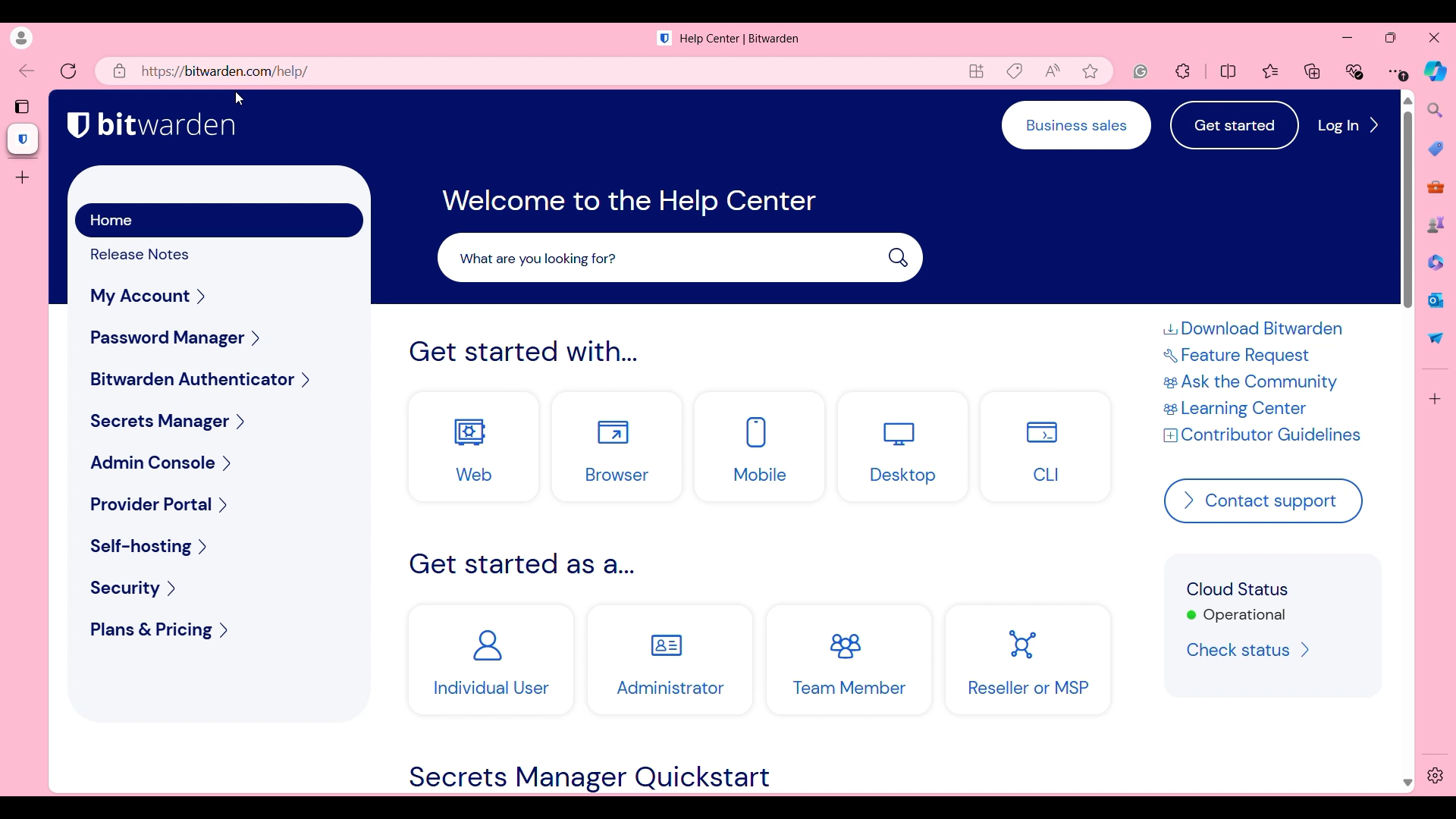  What do you see at coordinates (1236, 616) in the screenshot?
I see `Operational` at bounding box center [1236, 616].